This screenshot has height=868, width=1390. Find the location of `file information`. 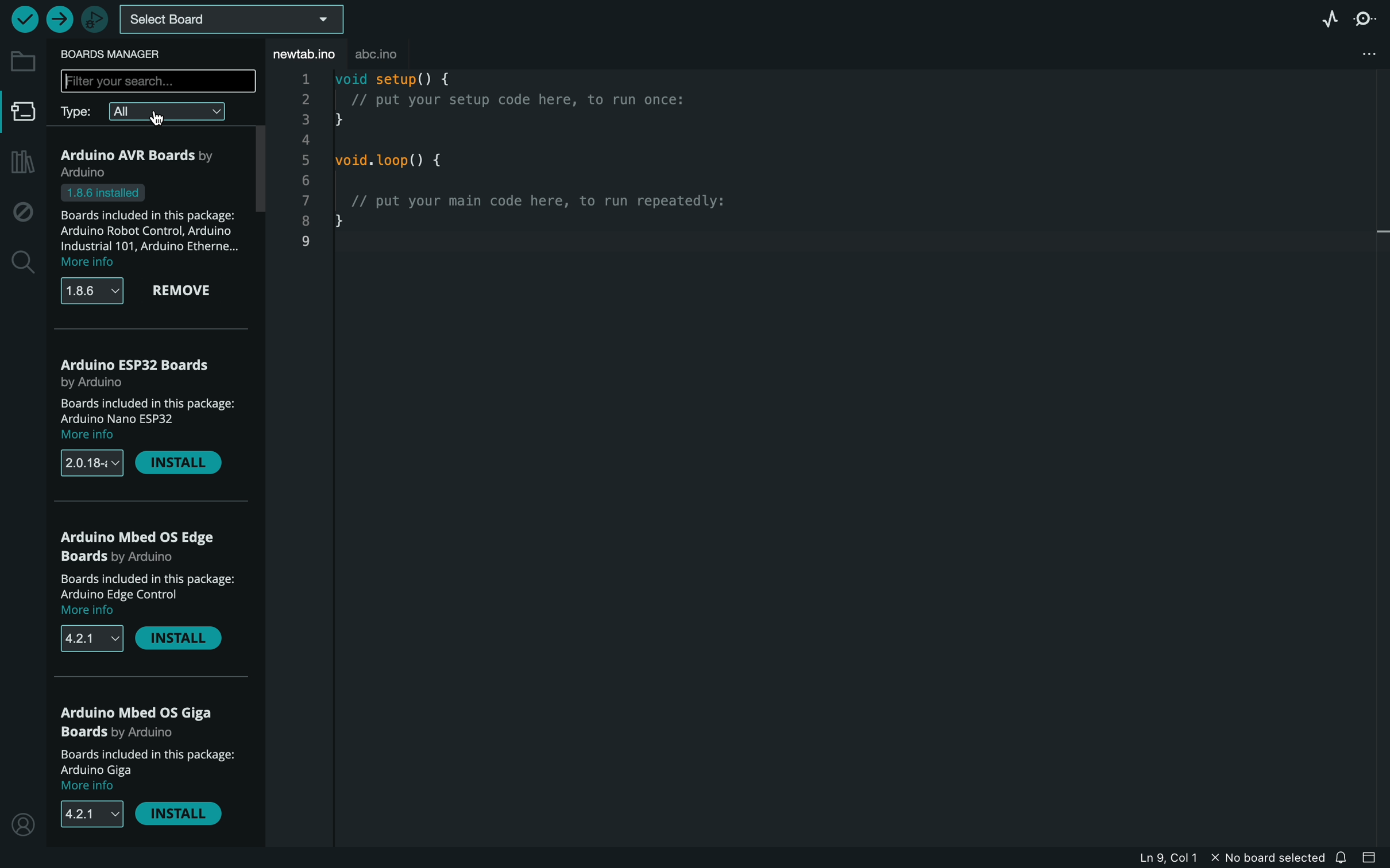

file information is located at coordinates (1225, 857).